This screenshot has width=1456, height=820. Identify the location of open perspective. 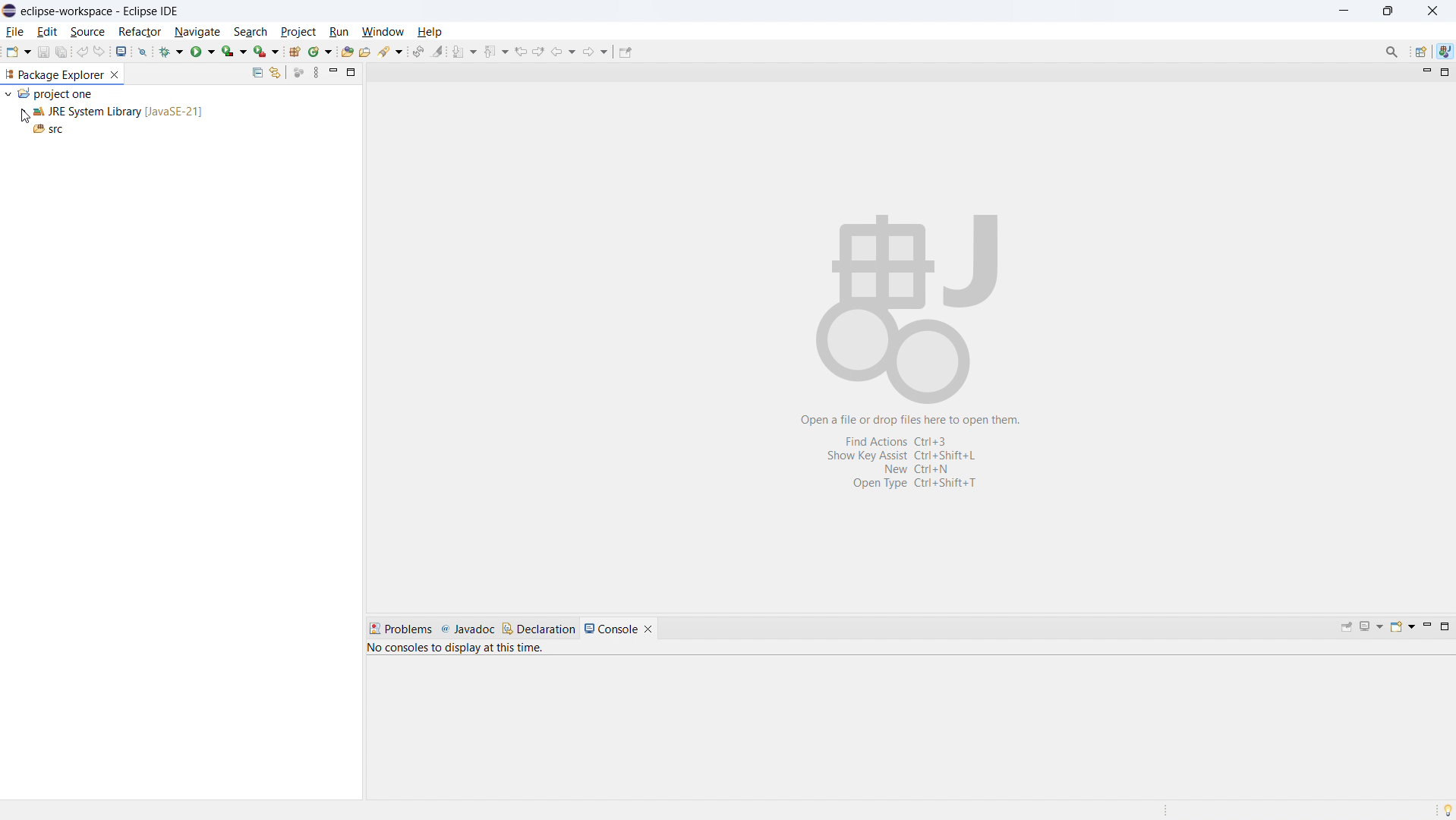
(1420, 52).